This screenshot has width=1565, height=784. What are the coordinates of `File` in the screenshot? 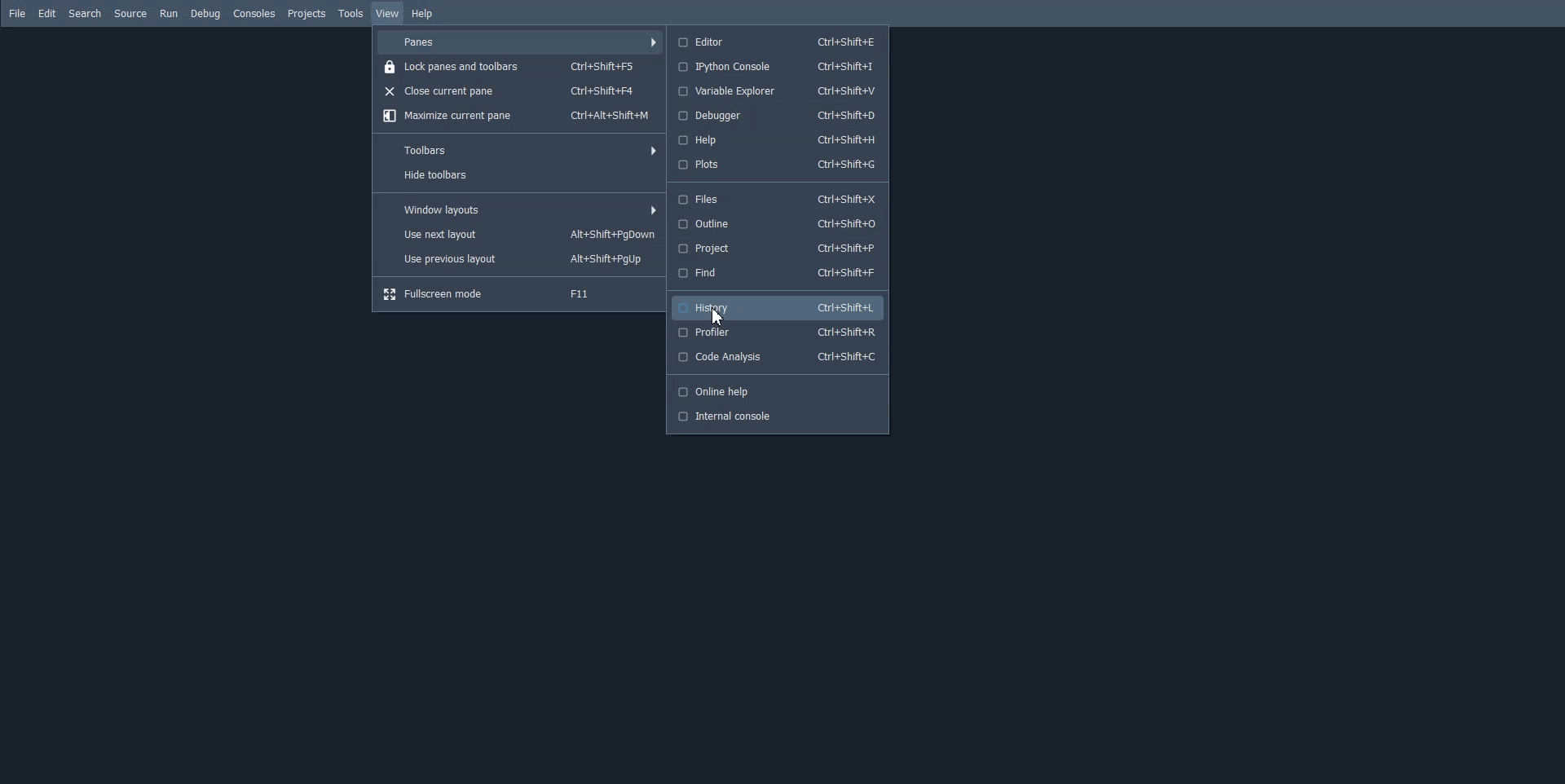 It's located at (18, 14).